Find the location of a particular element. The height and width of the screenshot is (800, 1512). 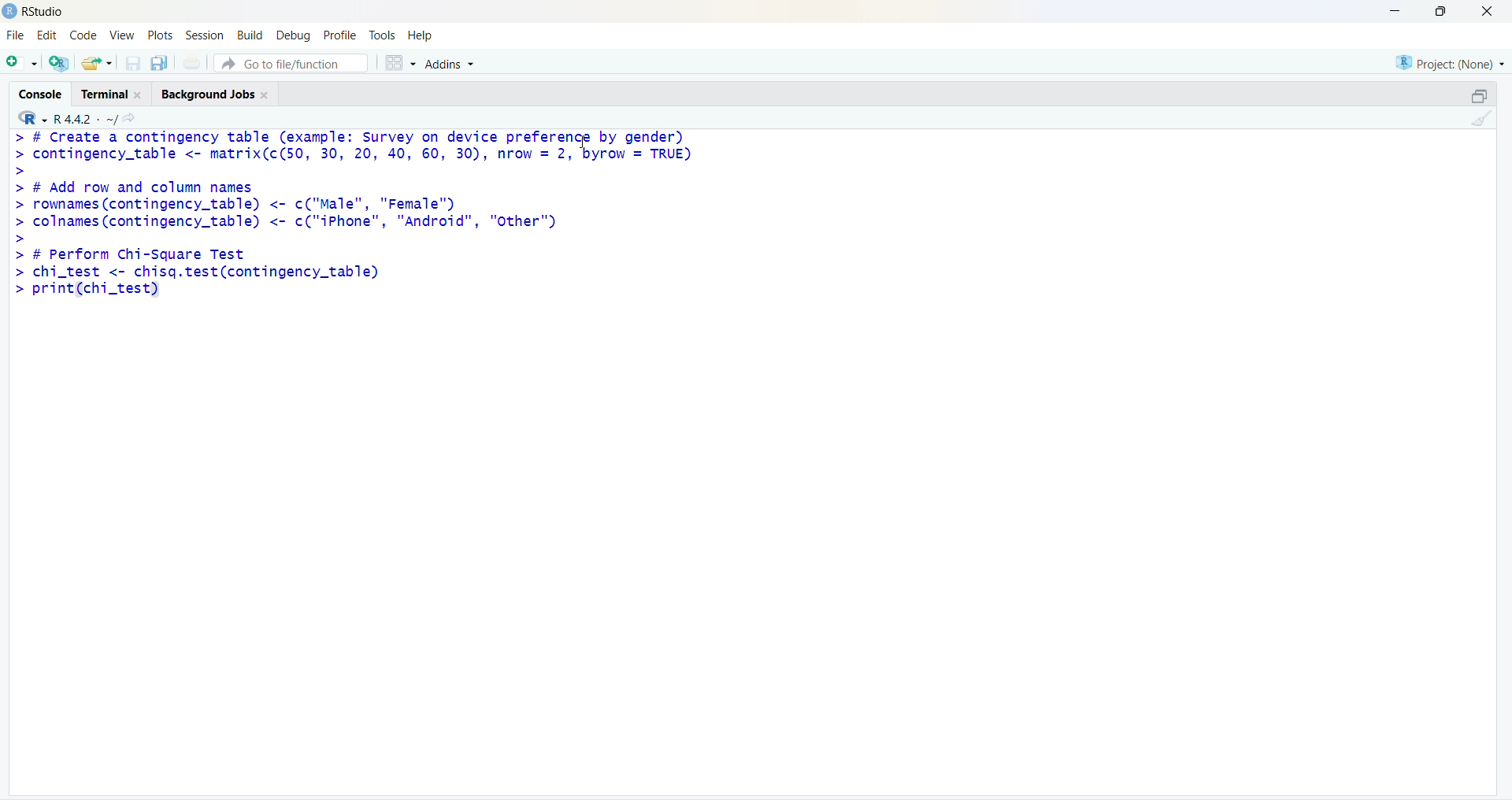

Session is located at coordinates (205, 35).